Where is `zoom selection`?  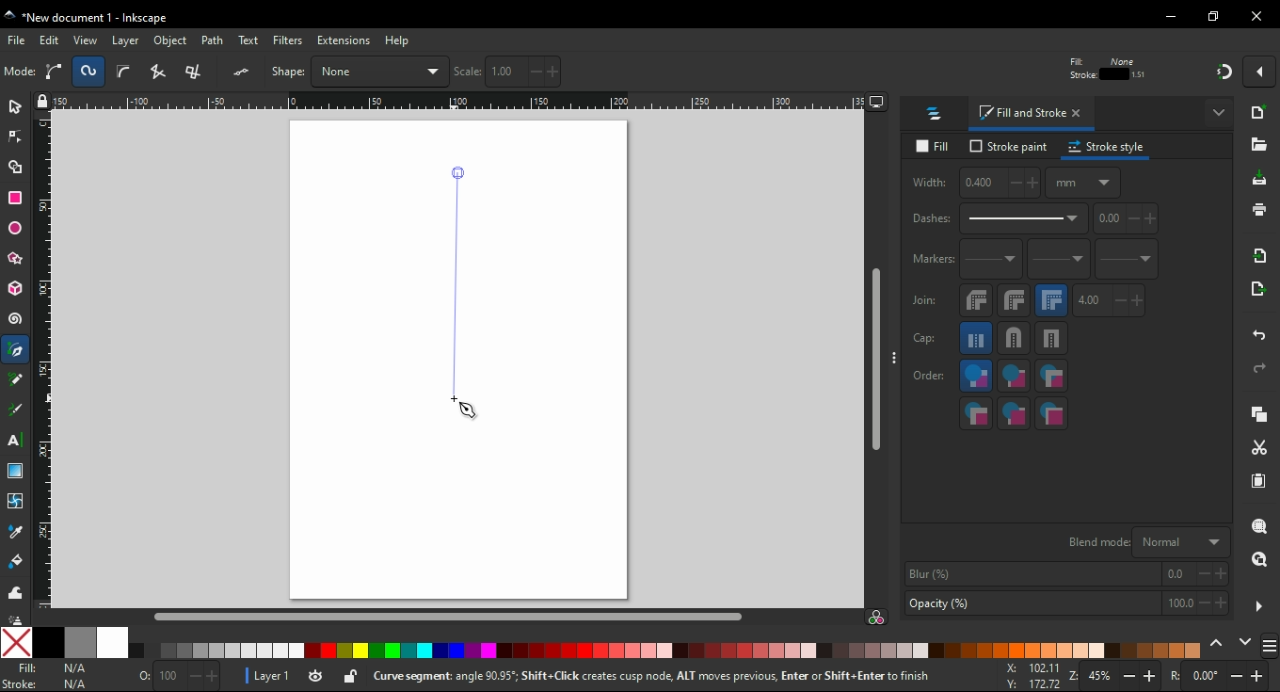 zoom selection is located at coordinates (1261, 527).